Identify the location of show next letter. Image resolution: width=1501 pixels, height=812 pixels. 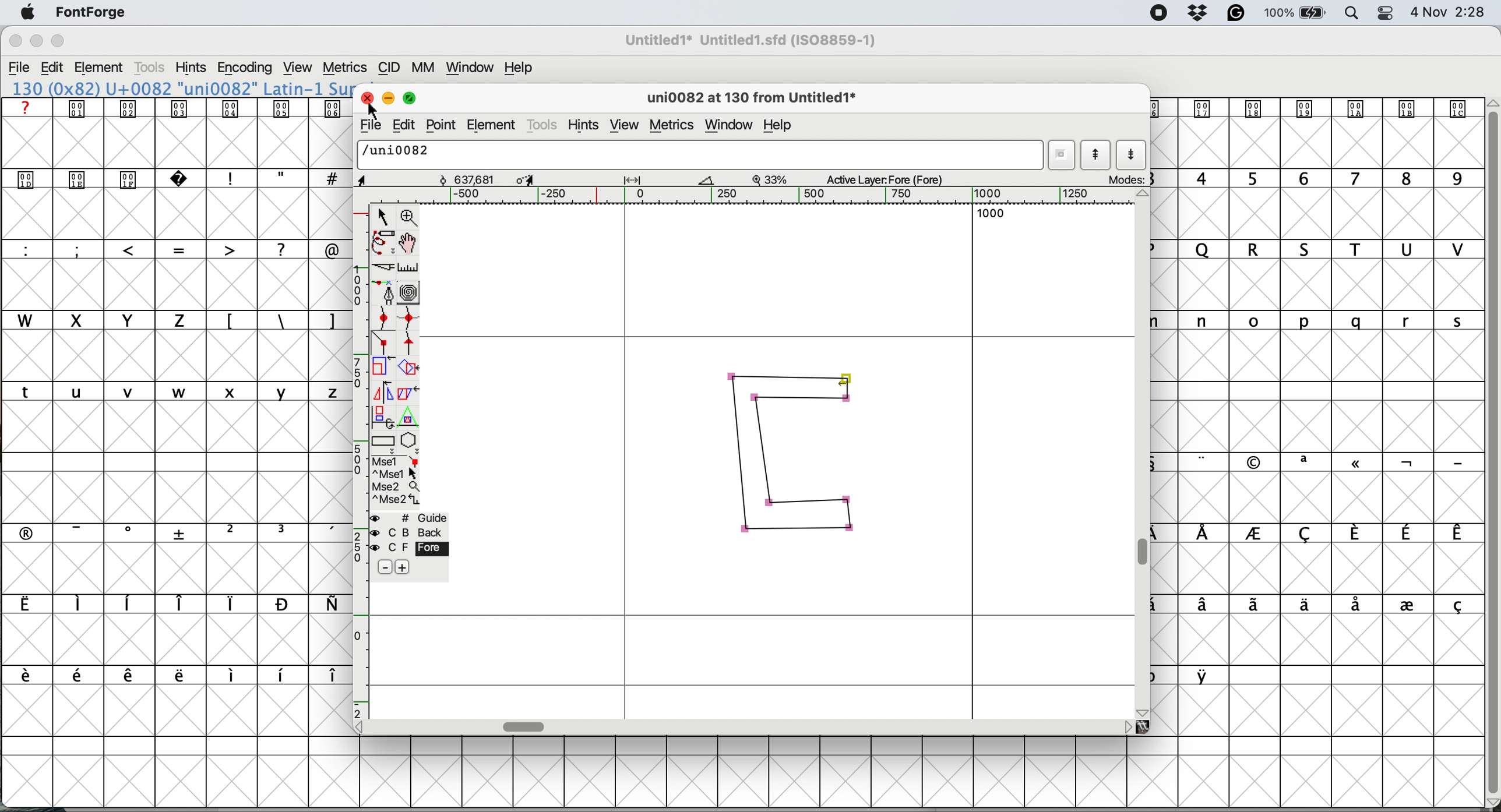
(1132, 156).